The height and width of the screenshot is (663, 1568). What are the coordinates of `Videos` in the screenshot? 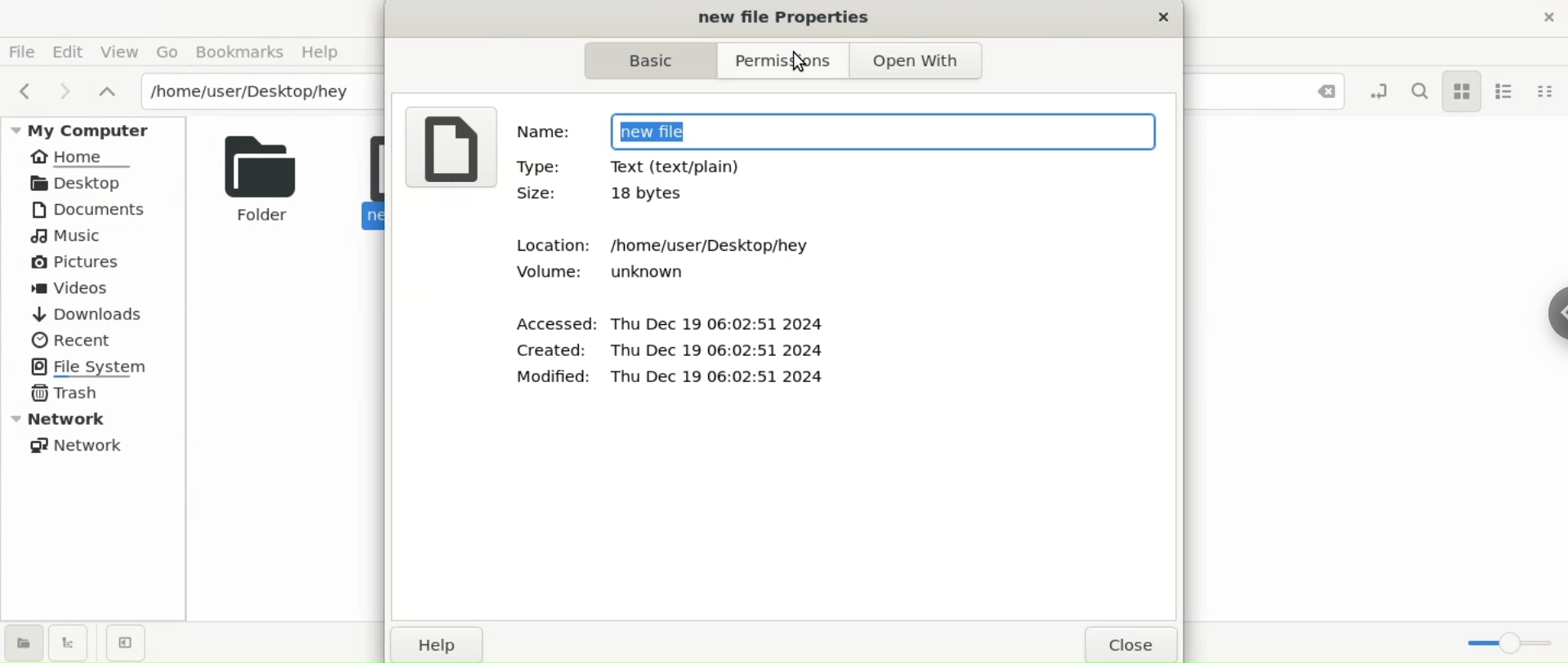 It's located at (82, 289).